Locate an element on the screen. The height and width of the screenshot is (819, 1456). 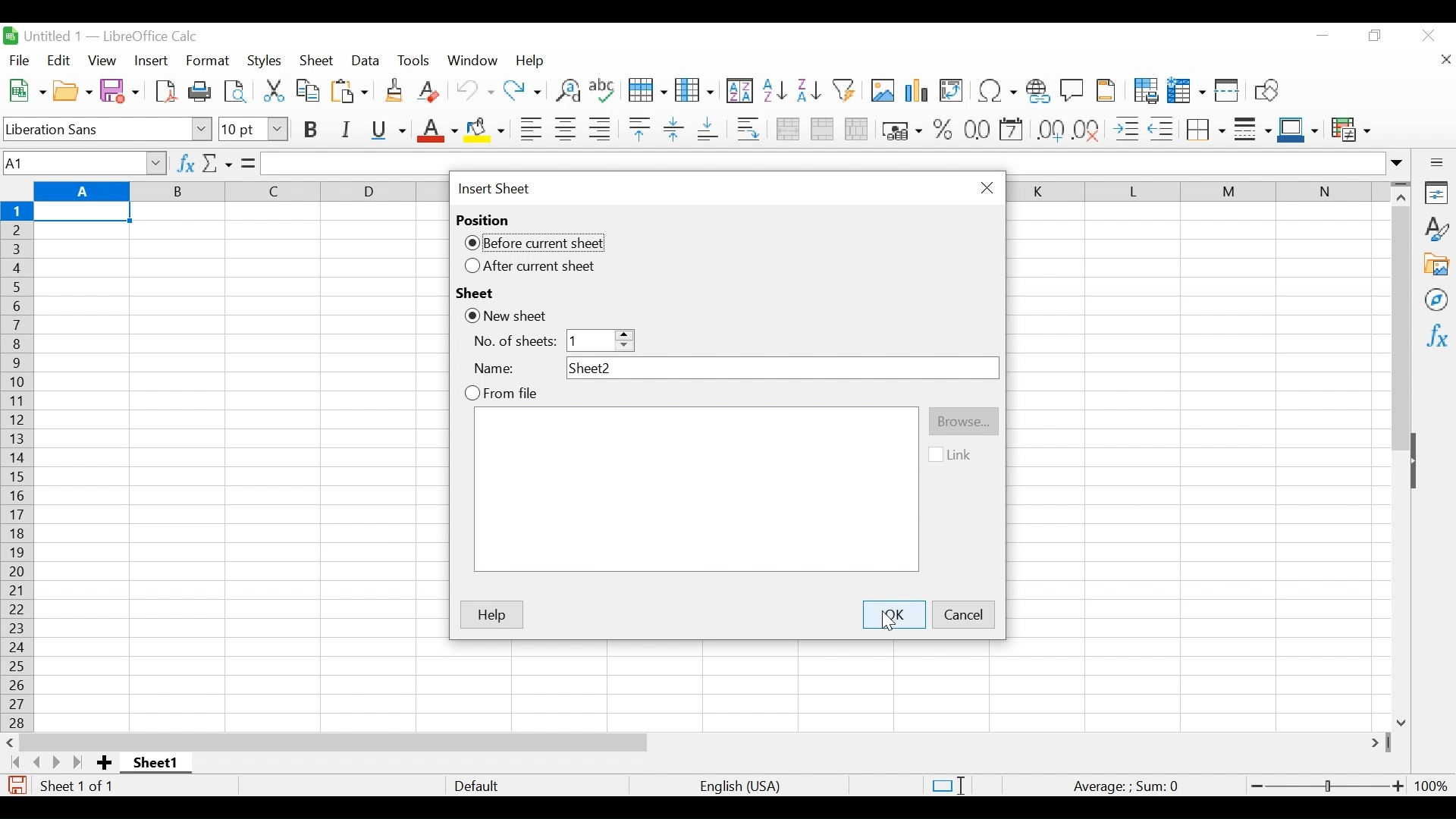
Insert or Edit Pivot table is located at coordinates (952, 91).